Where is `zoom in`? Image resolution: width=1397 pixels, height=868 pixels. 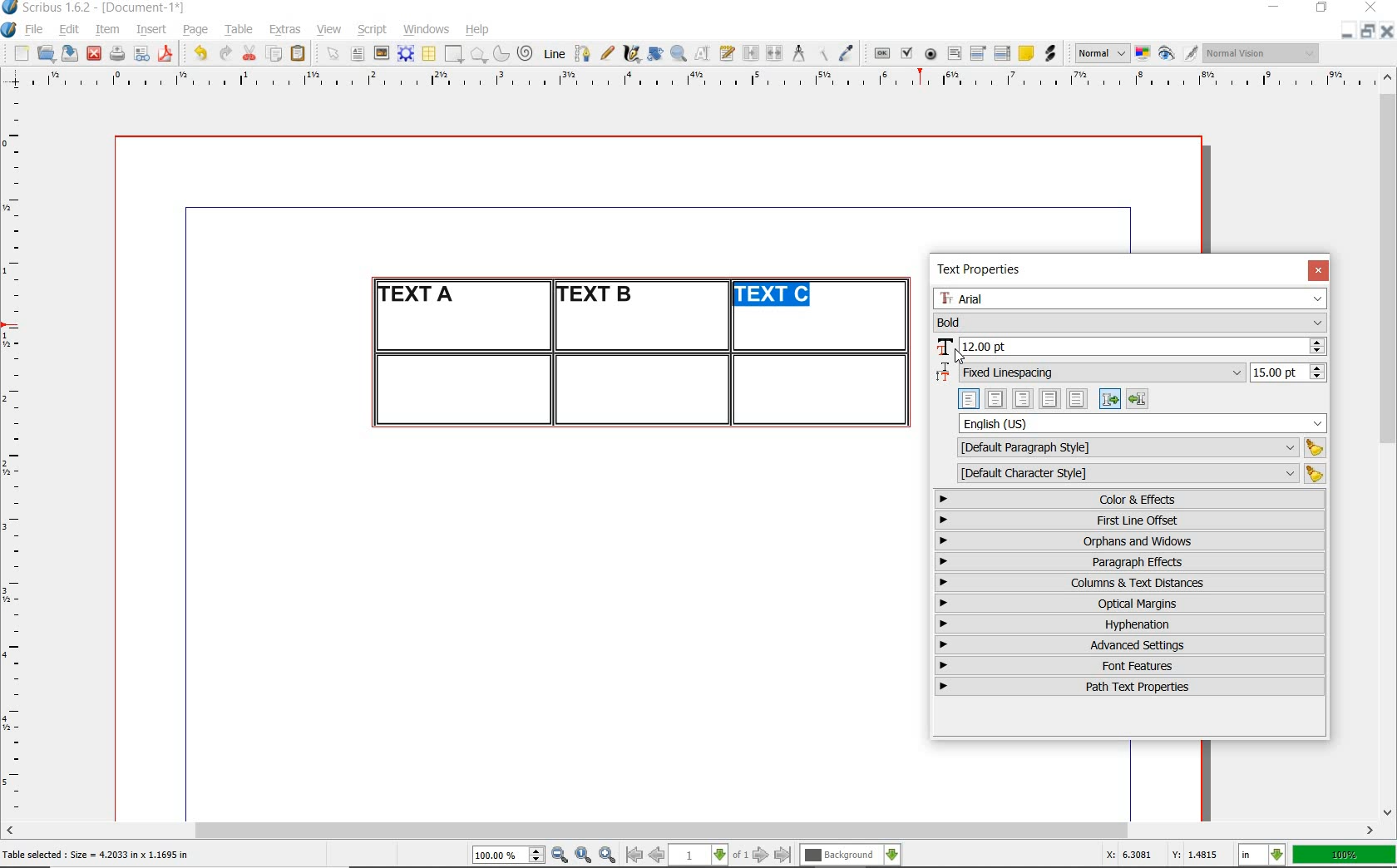
zoom in is located at coordinates (608, 856).